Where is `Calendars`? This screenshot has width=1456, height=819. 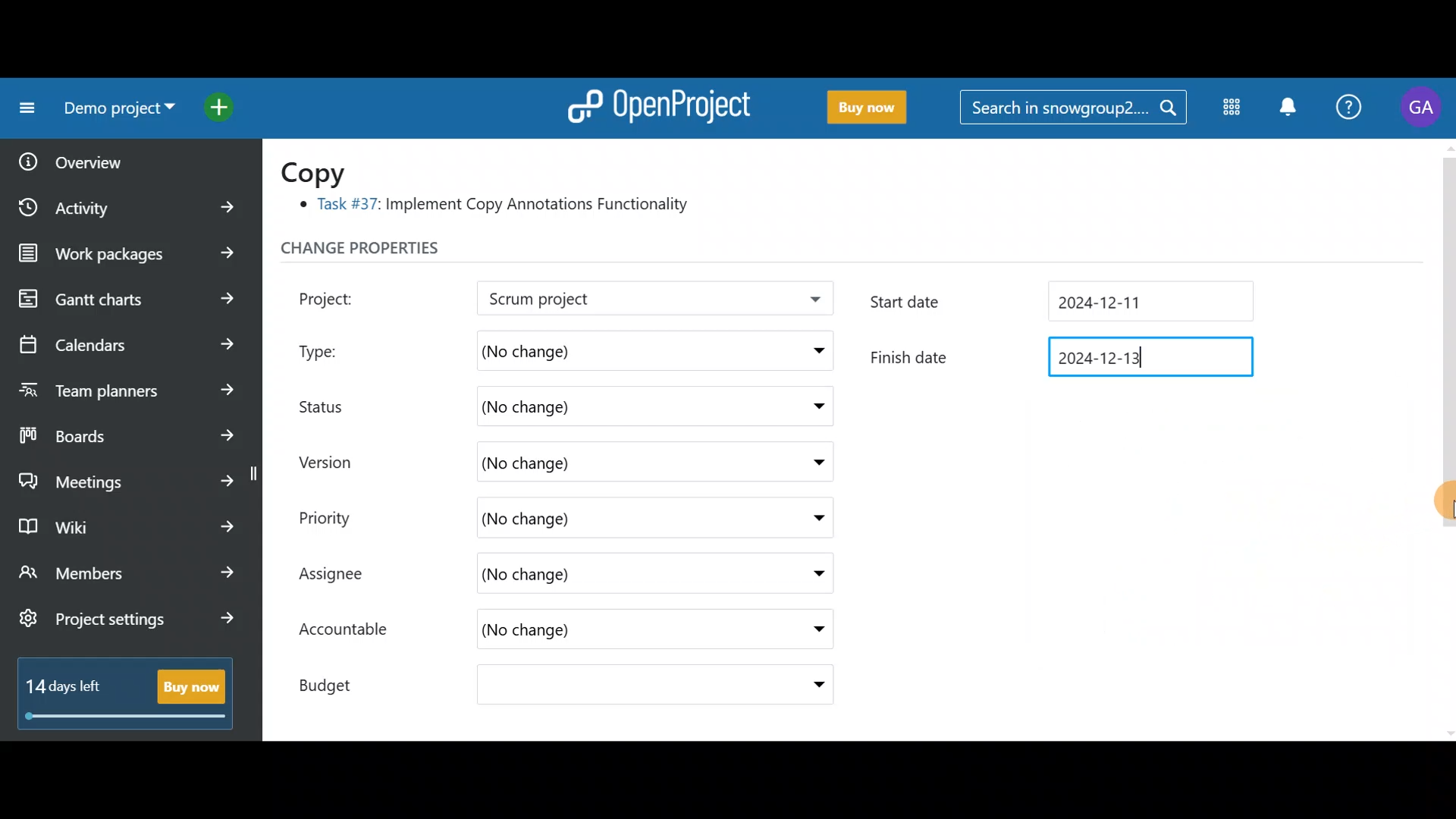 Calendars is located at coordinates (126, 338).